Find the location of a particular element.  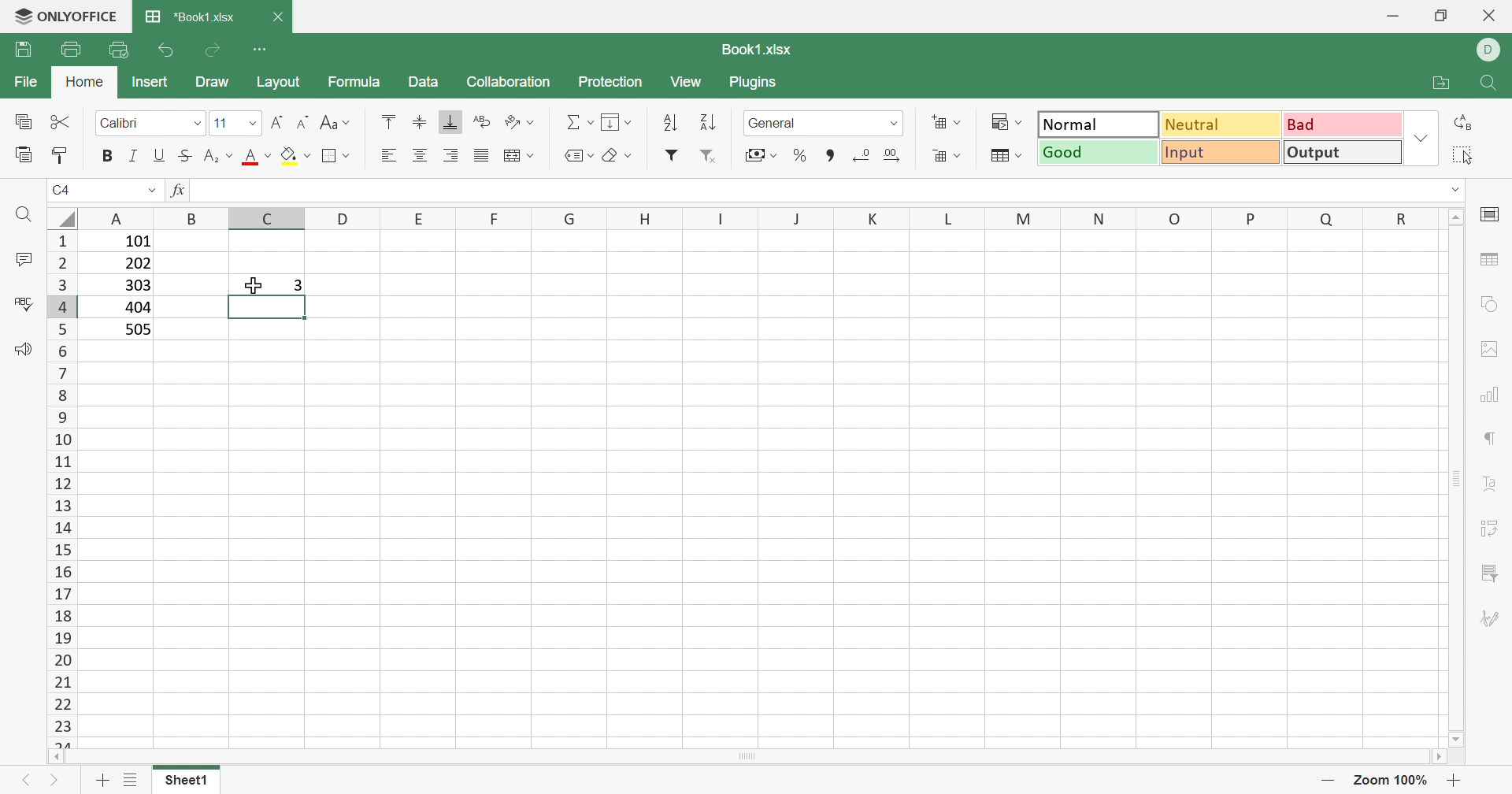

Orientation is located at coordinates (521, 121).